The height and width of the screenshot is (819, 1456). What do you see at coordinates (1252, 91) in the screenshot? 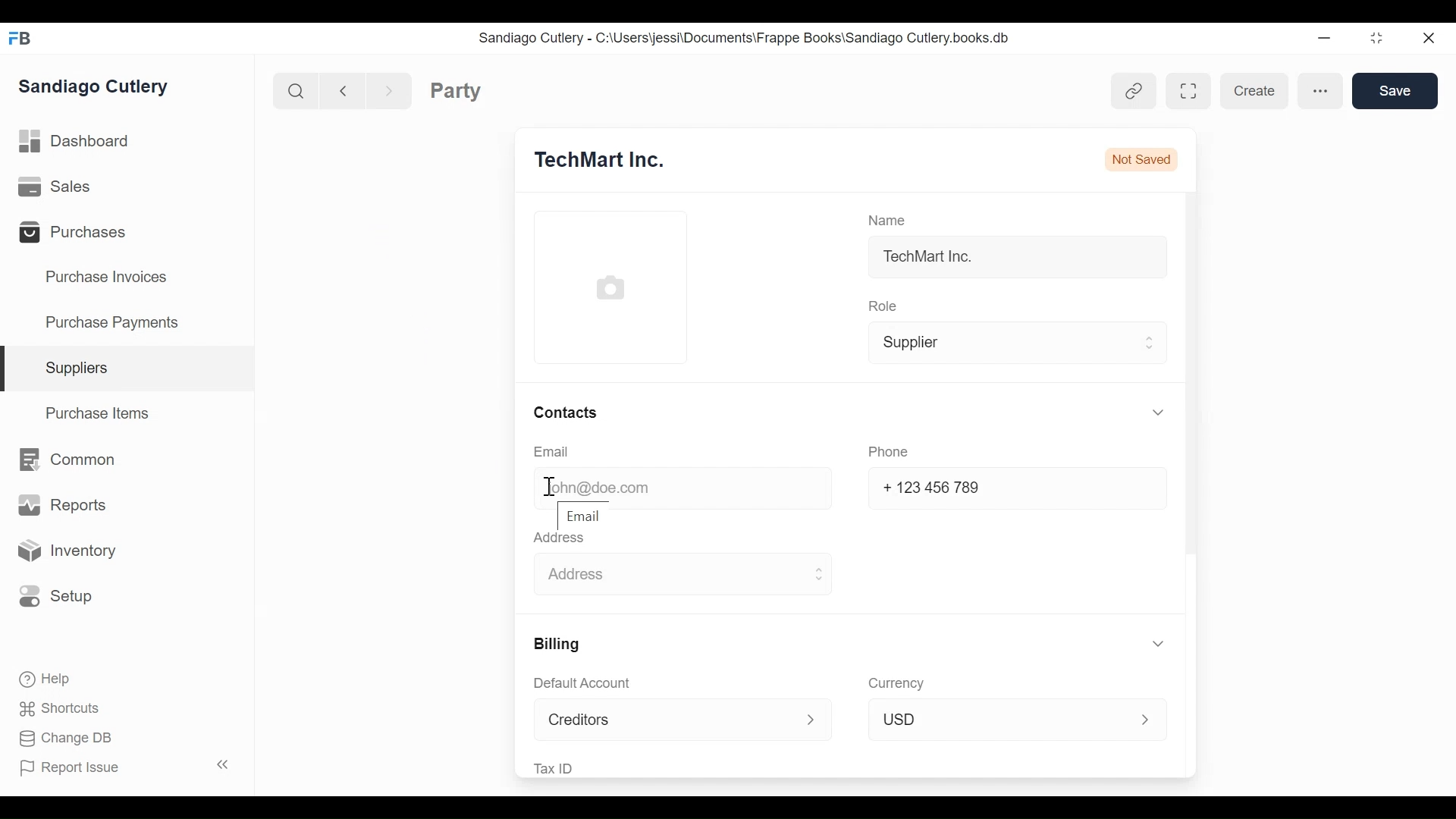
I see `Create` at bounding box center [1252, 91].